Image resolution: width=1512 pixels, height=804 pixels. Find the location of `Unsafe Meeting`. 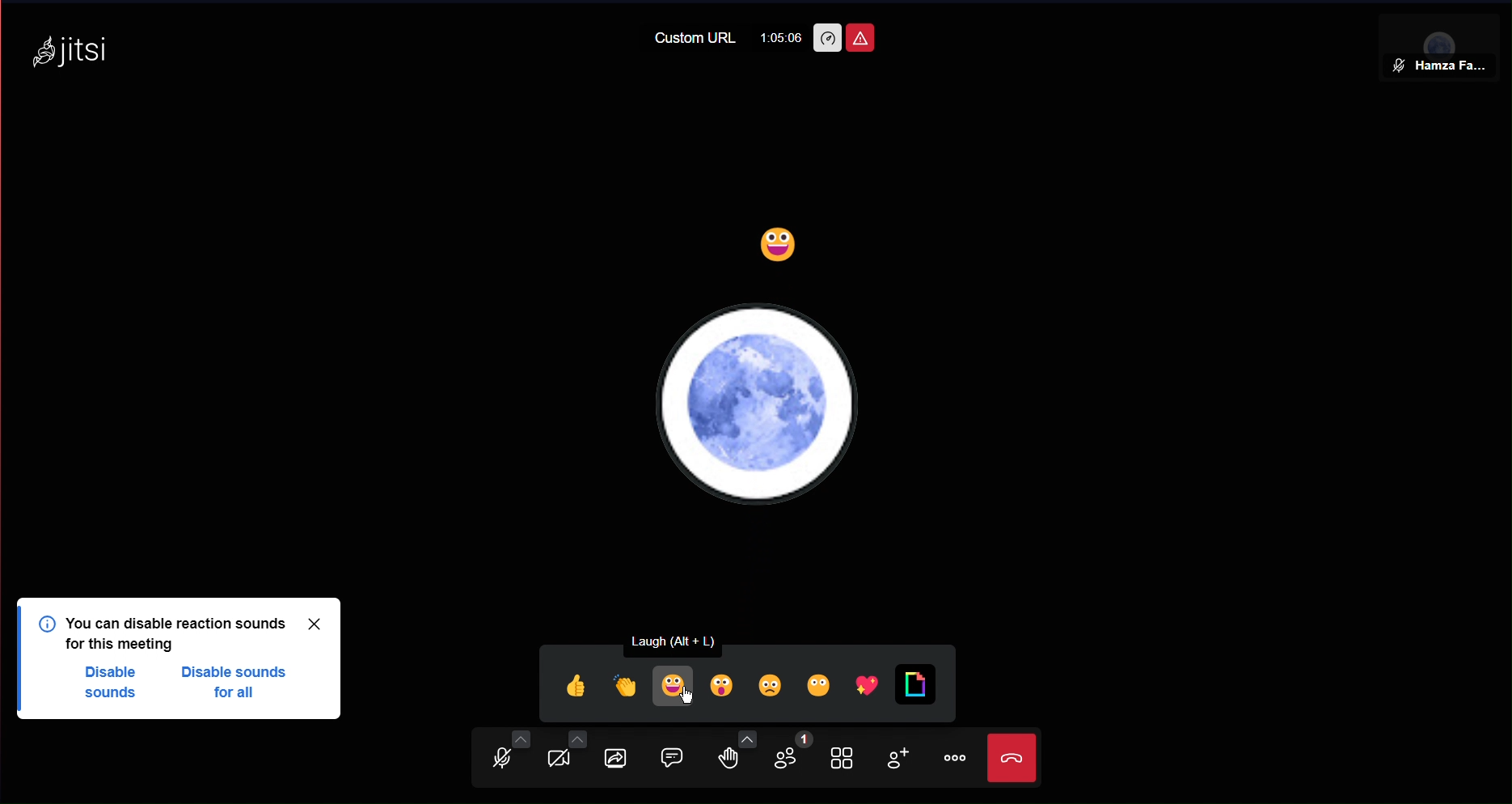

Unsafe Meeting is located at coordinates (859, 38).